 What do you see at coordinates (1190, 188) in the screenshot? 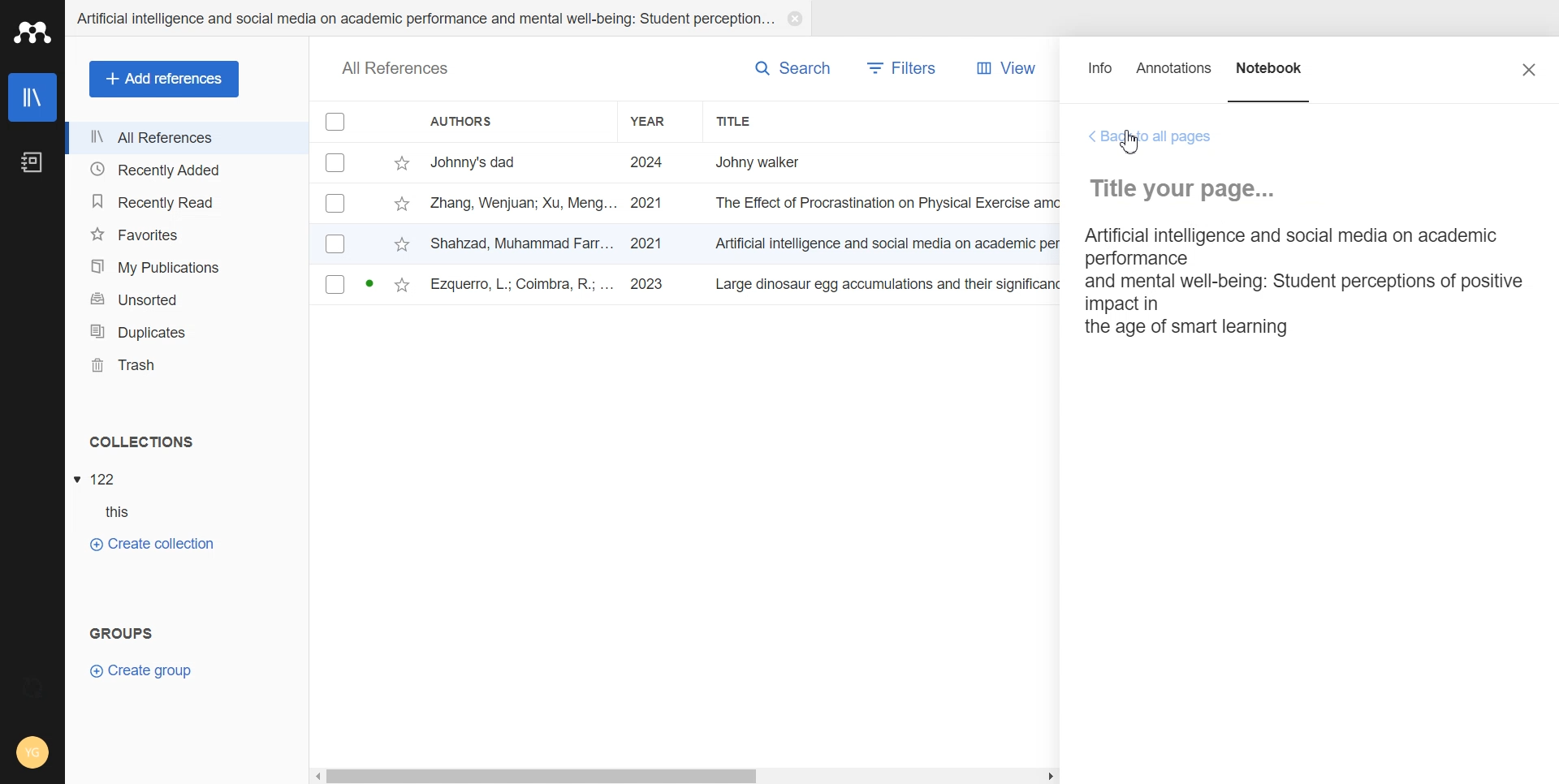
I see `Title your page` at bounding box center [1190, 188].